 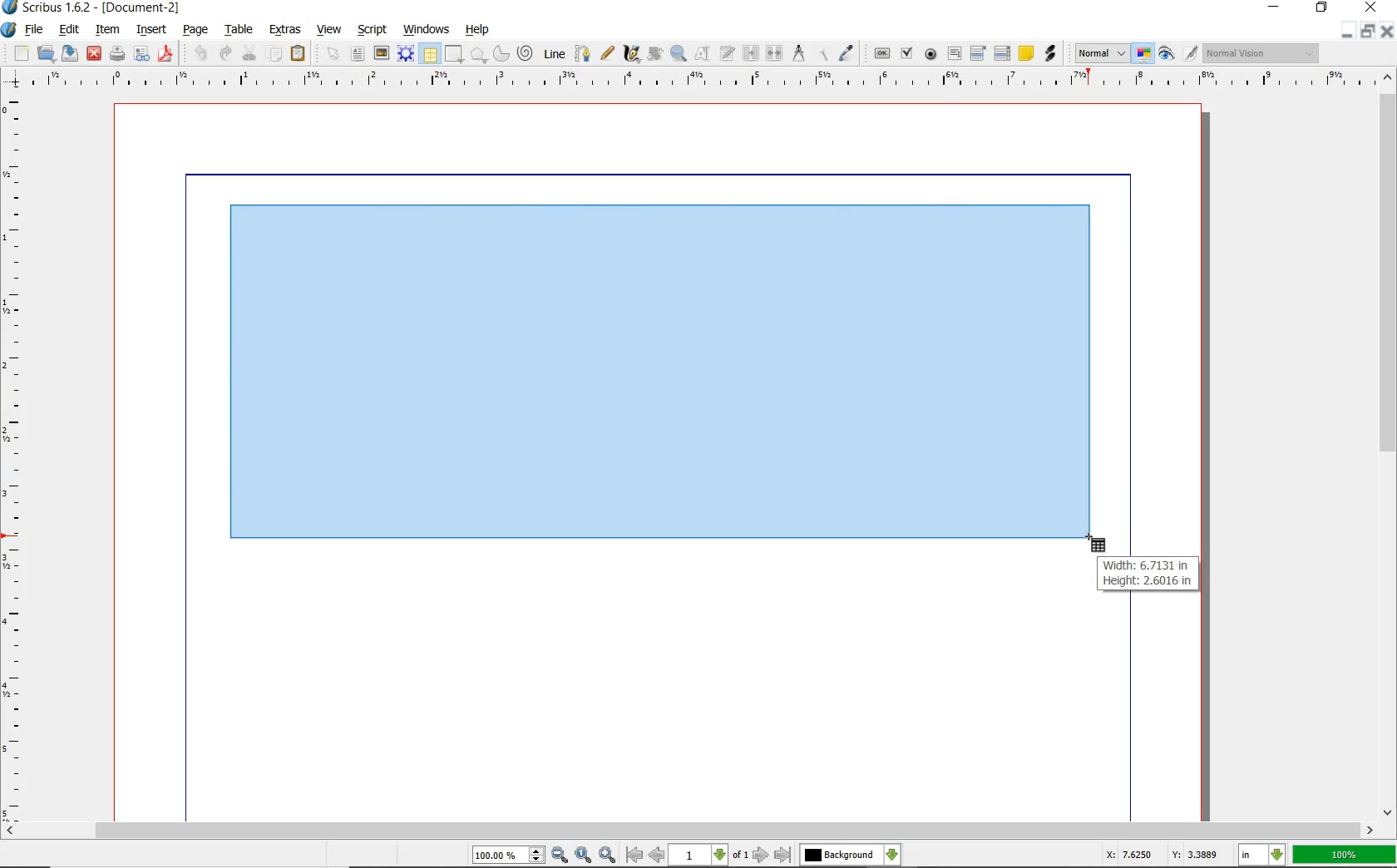 I want to click on item, so click(x=111, y=31).